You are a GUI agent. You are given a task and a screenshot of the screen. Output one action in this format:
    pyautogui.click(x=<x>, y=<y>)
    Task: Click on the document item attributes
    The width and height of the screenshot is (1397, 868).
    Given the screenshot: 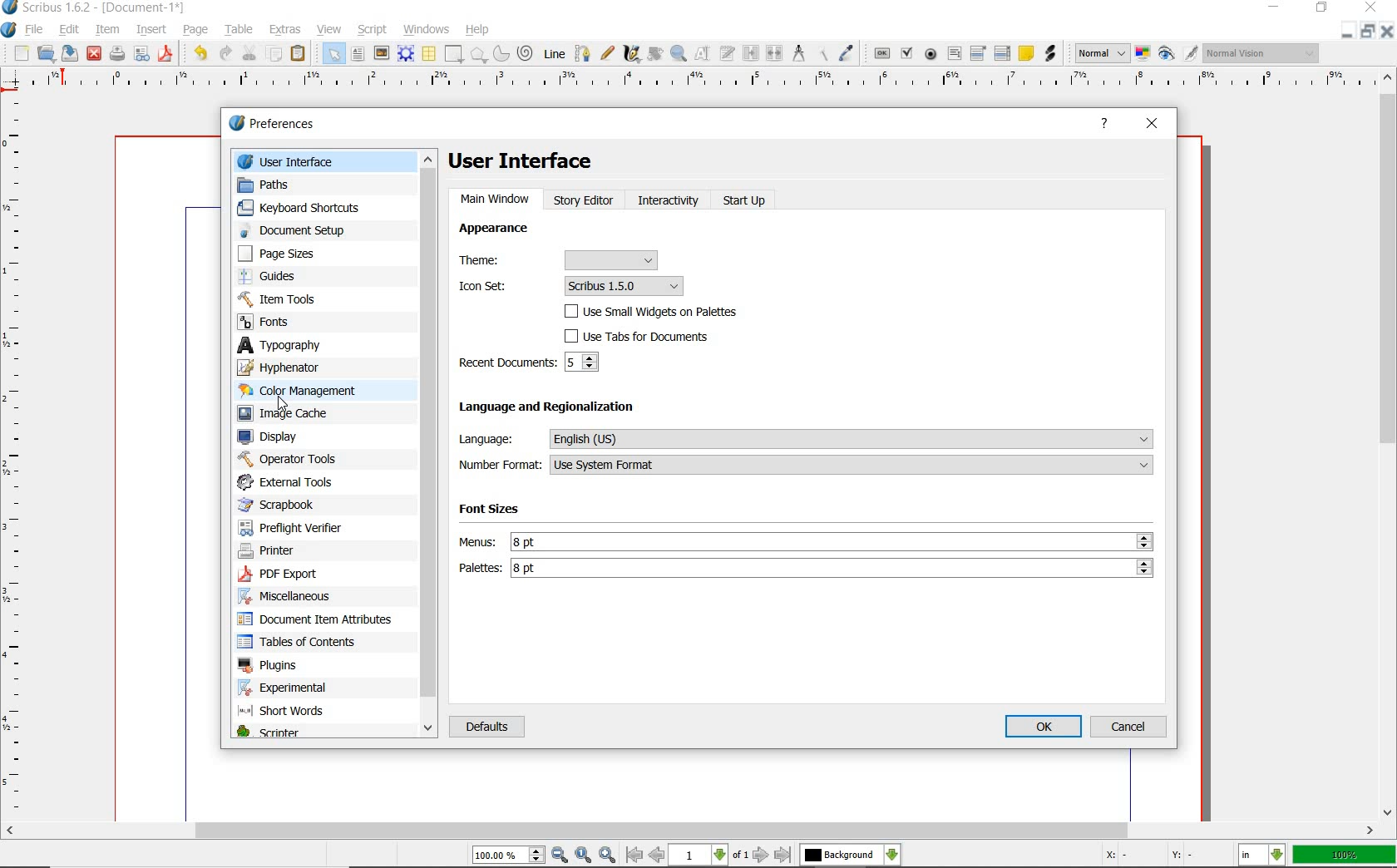 What is the action you would take?
    pyautogui.click(x=318, y=620)
    